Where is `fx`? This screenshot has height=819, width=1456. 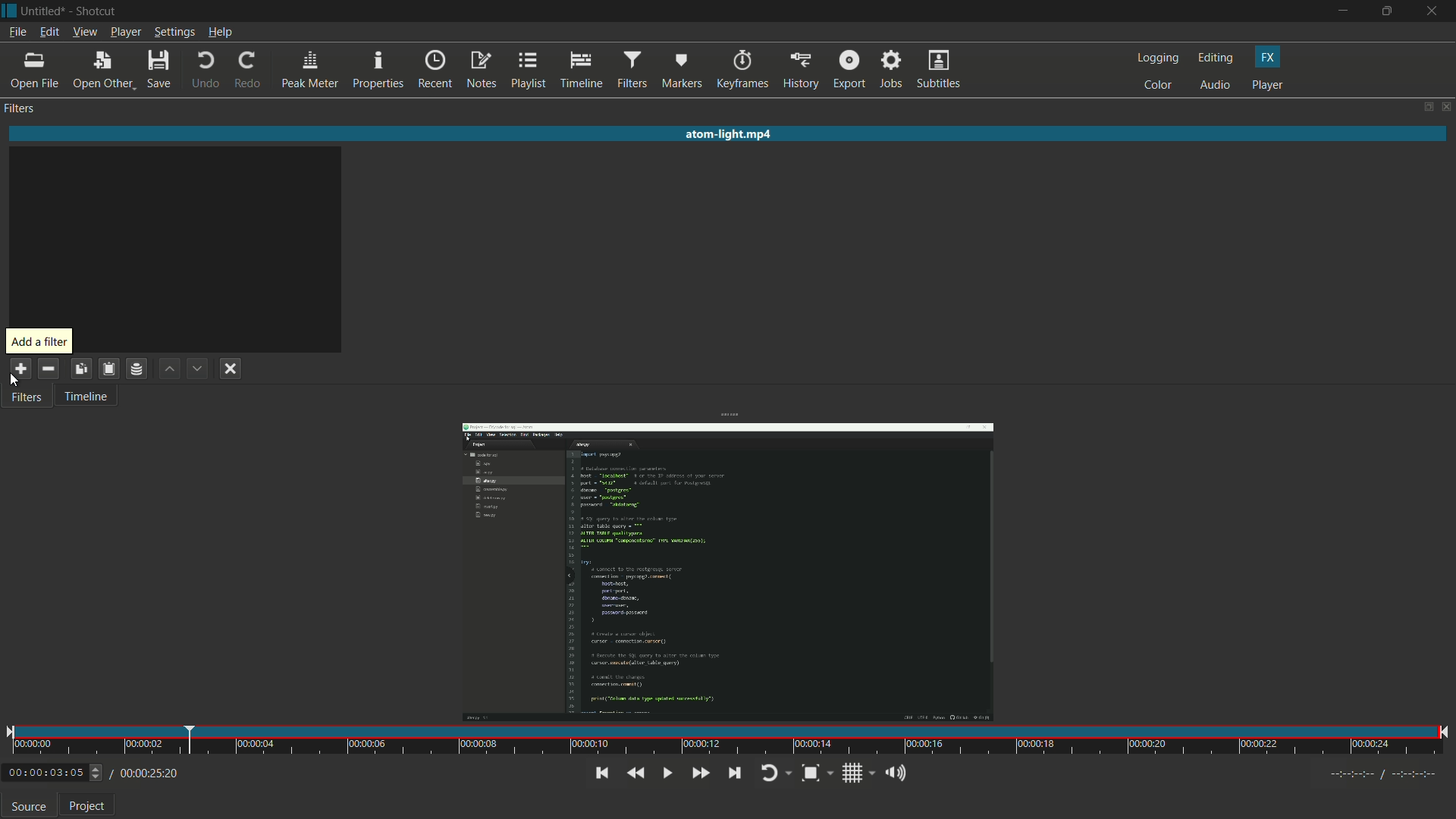
fx is located at coordinates (1270, 58).